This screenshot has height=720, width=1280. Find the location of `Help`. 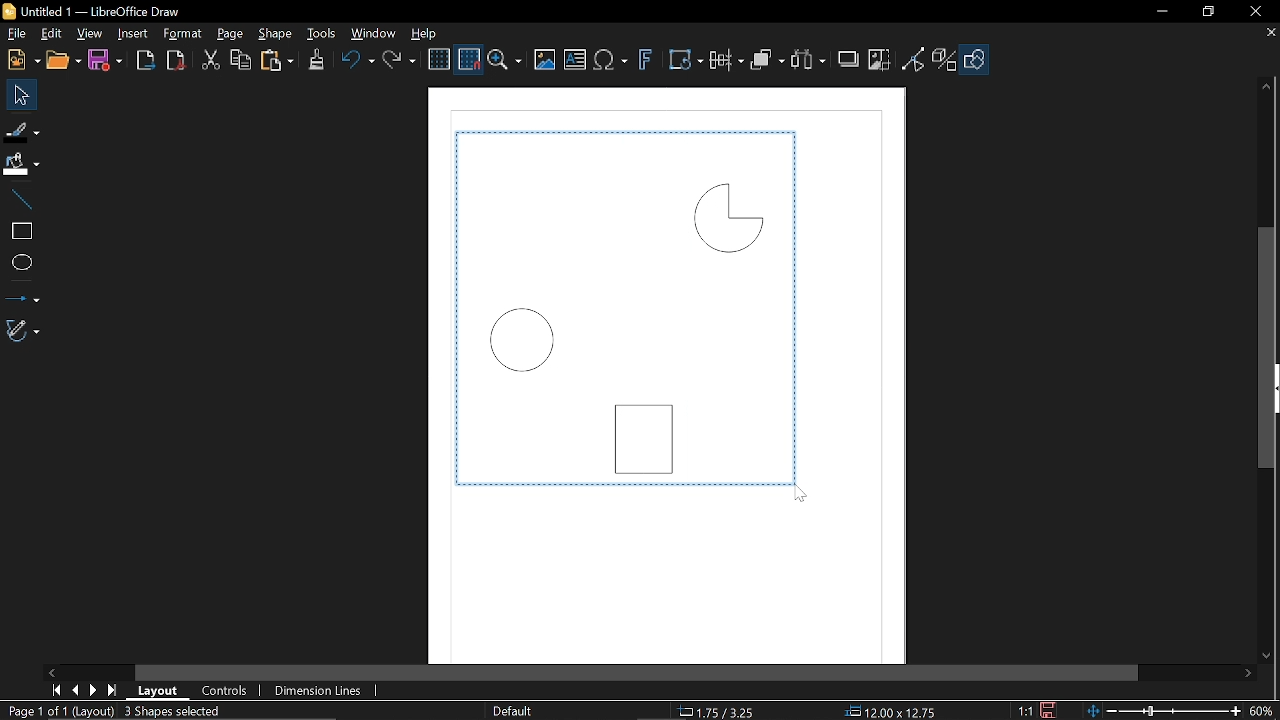

Help is located at coordinates (429, 33).